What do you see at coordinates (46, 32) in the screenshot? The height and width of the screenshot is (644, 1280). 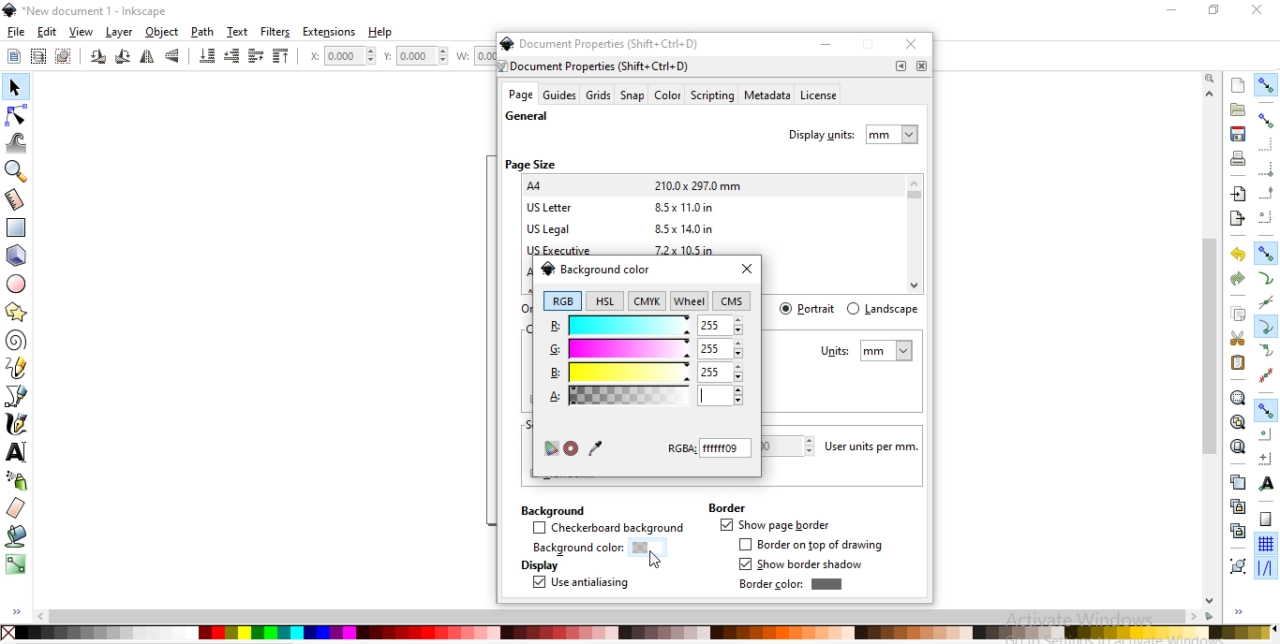 I see `edit` at bounding box center [46, 32].